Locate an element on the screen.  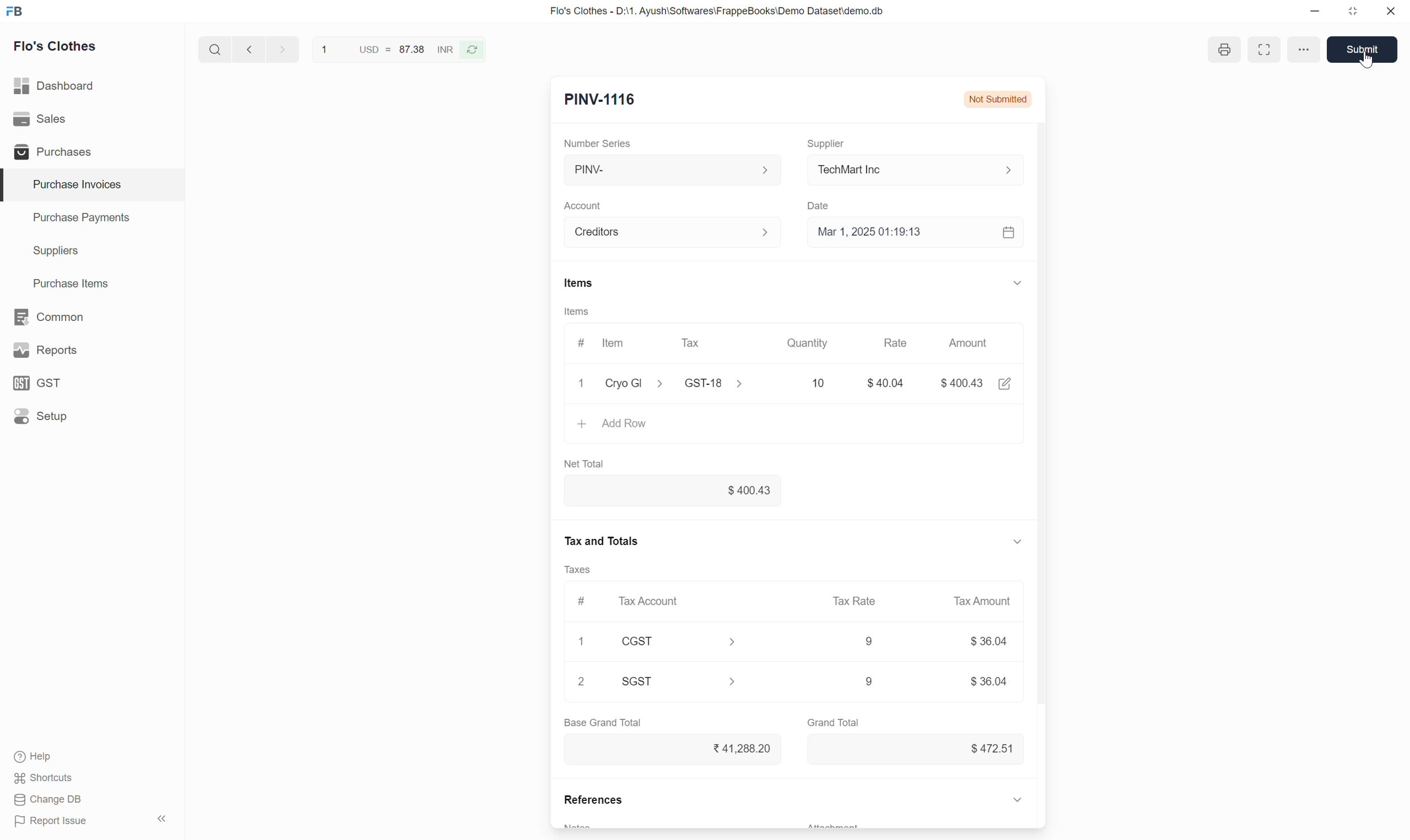
Tax Rate is located at coordinates (857, 600).